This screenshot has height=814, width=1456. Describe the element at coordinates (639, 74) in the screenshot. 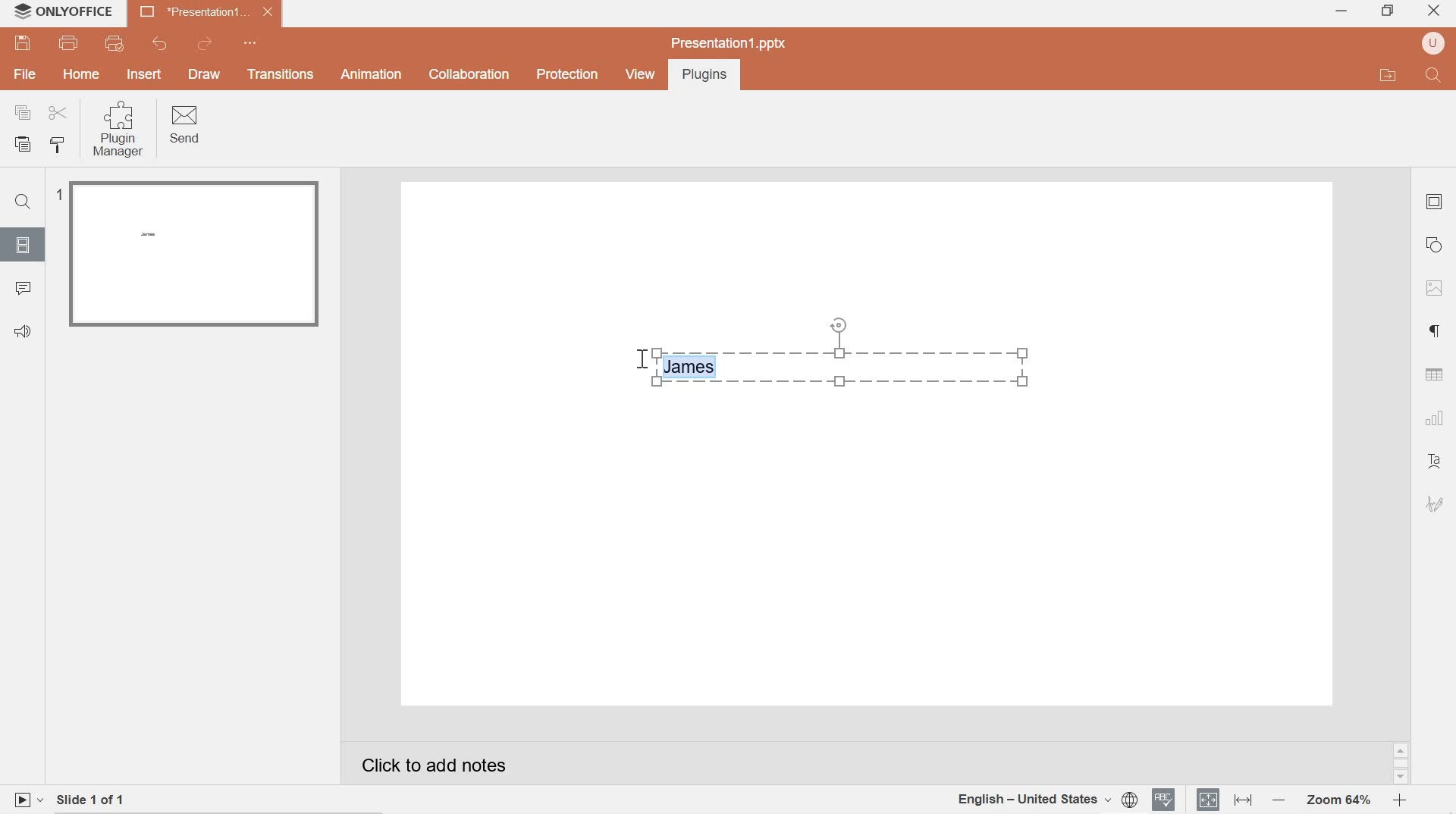

I see `view` at that location.